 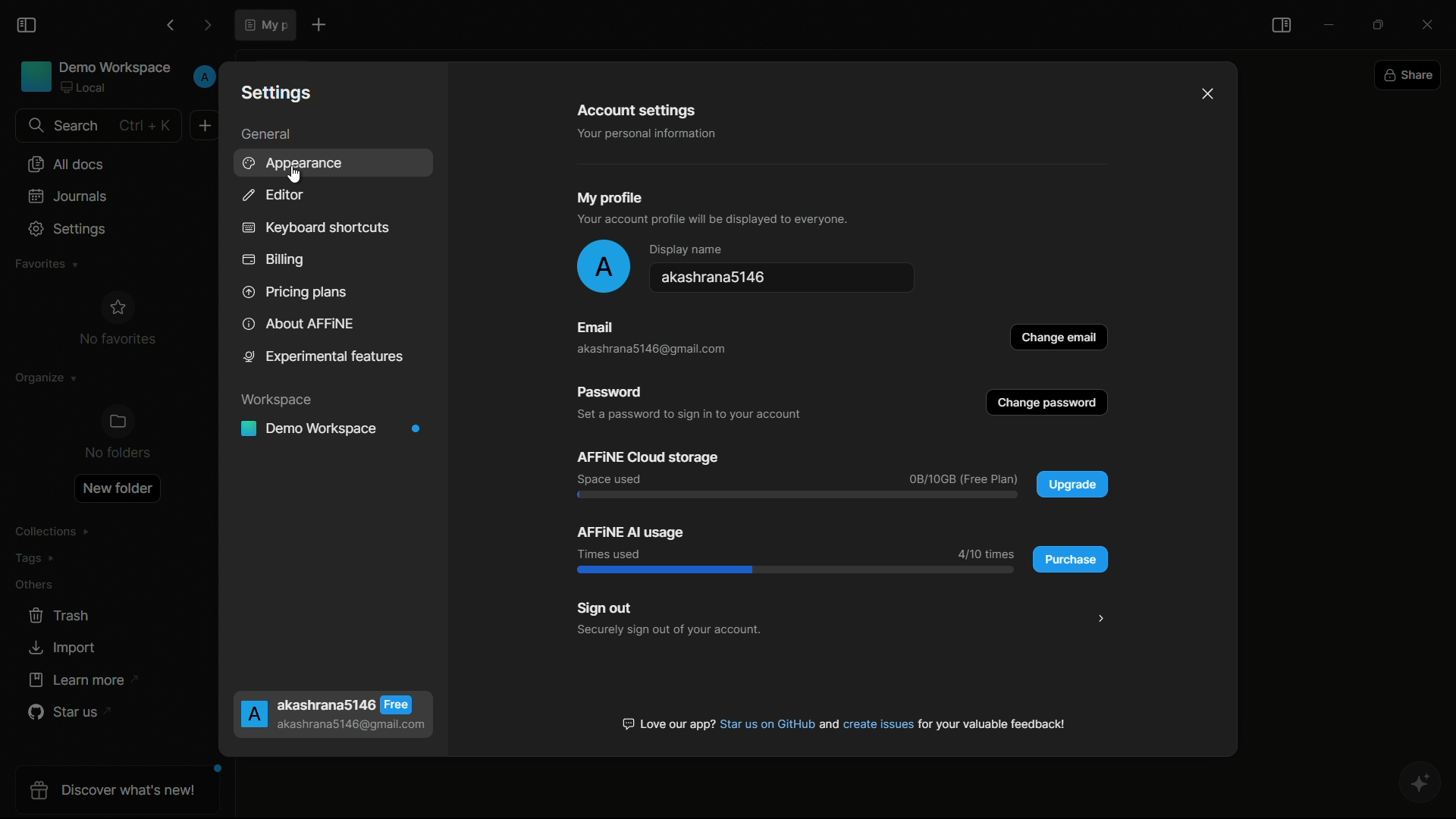 What do you see at coordinates (69, 196) in the screenshot?
I see `journals` at bounding box center [69, 196].